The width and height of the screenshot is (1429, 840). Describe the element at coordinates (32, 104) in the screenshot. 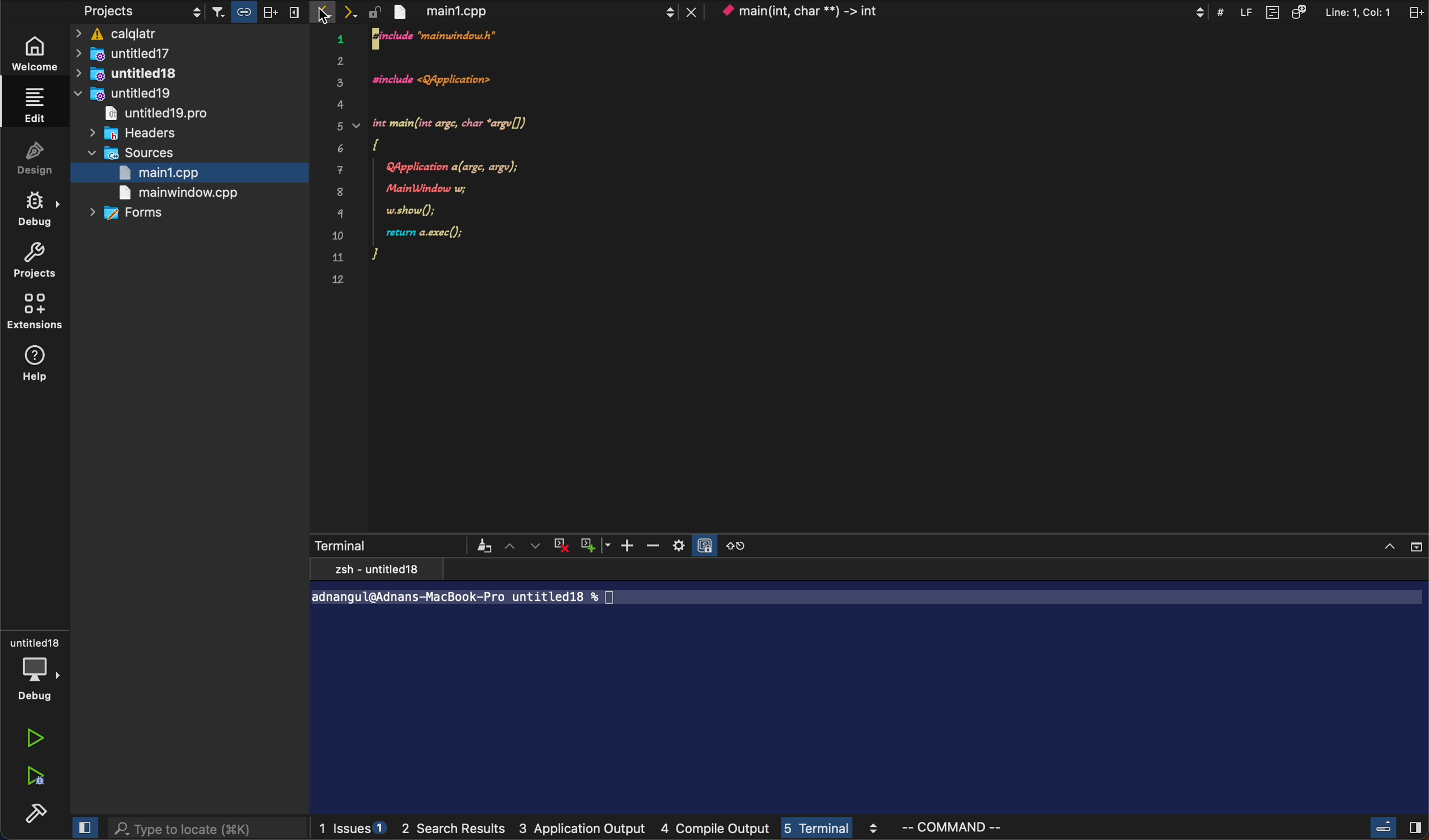

I see `edit` at that location.